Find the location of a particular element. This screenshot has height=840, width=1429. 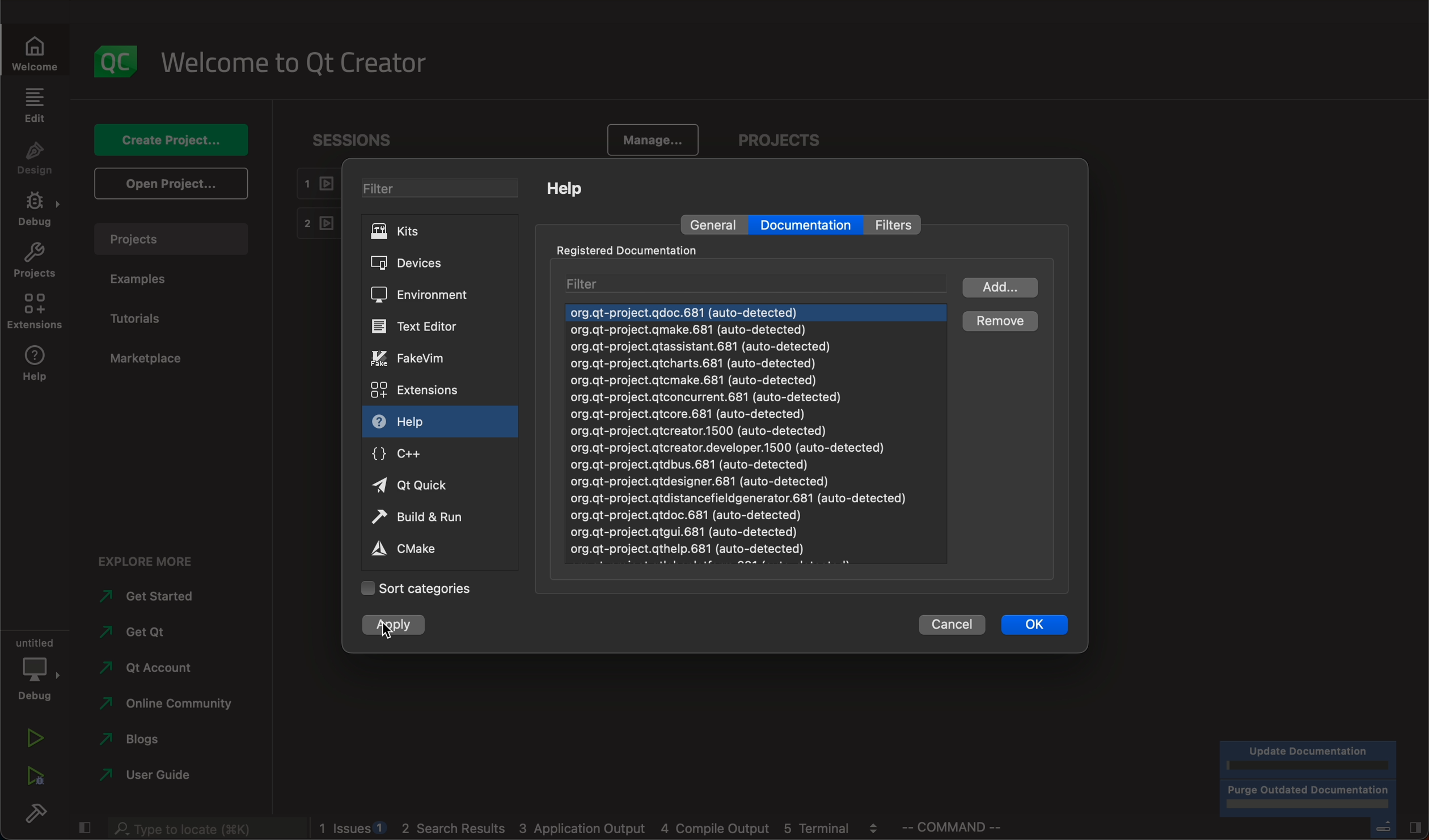

examples is located at coordinates (157, 285).